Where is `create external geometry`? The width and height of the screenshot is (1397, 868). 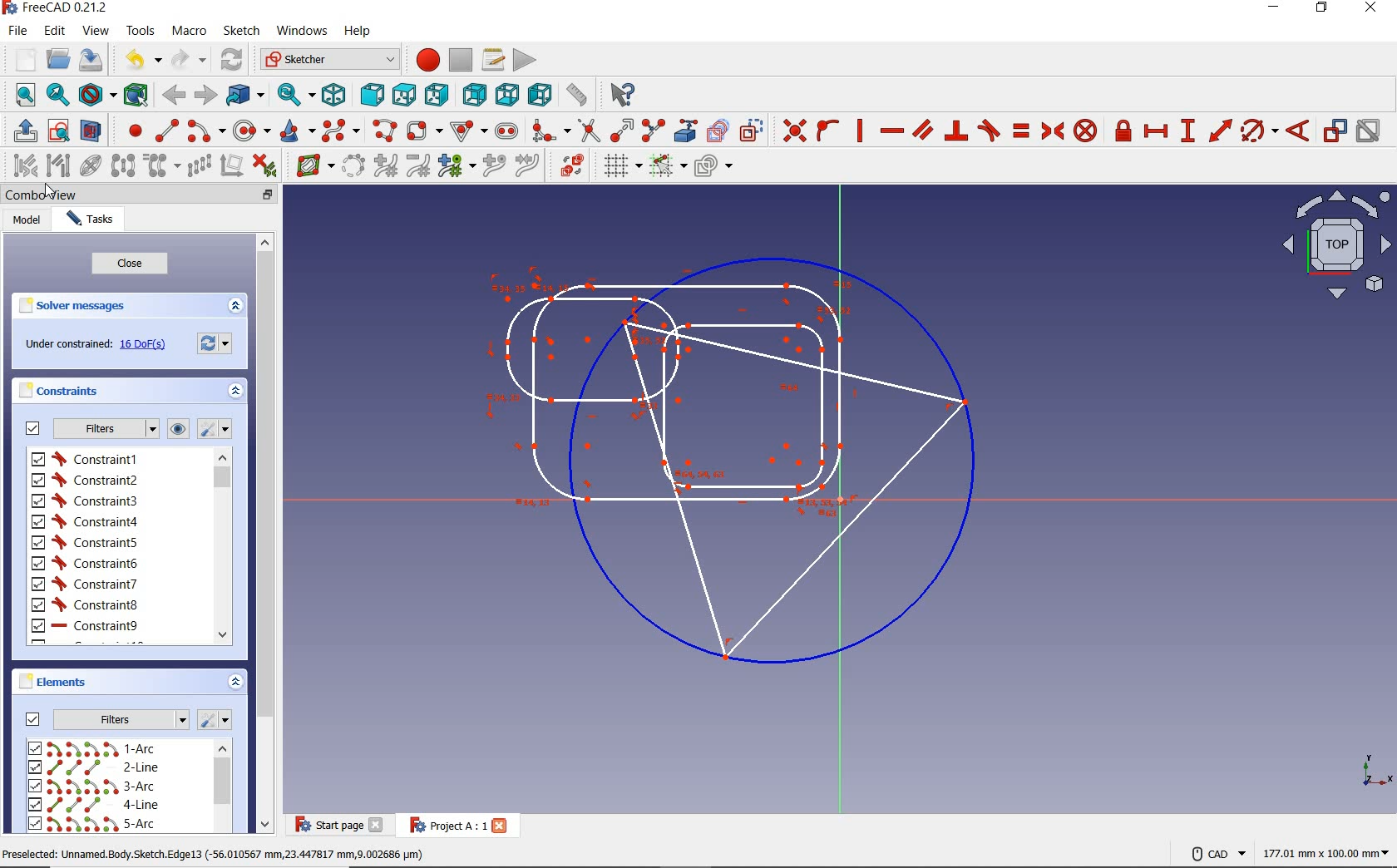
create external geometry is located at coordinates (683, 131).